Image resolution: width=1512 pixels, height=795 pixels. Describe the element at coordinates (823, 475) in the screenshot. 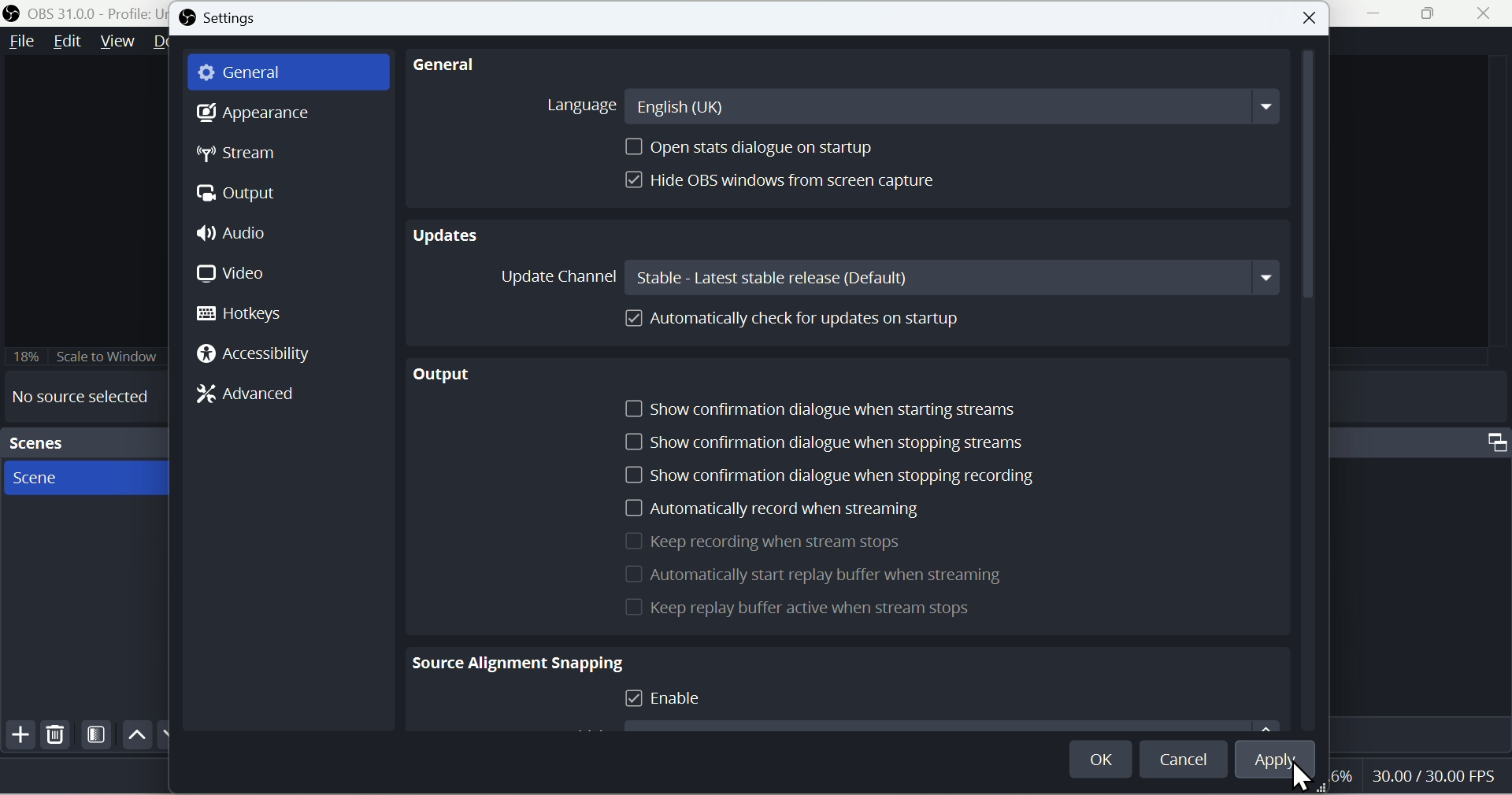

I see `Show confirmation dialogue when you stop recording` at that location.